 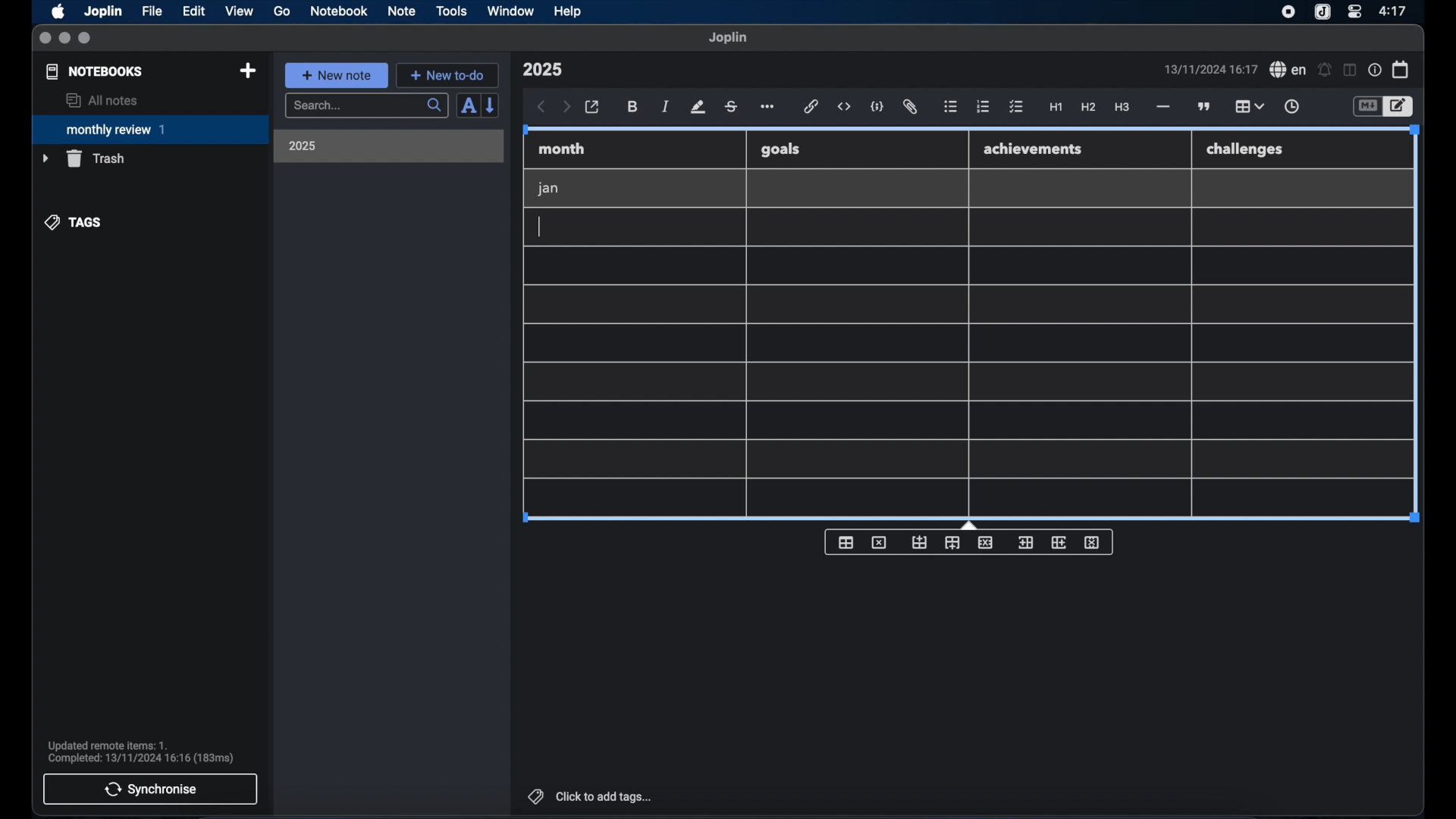 What do you see at coordinates (1354, 11) in the screenshot?
I see `control center` at bounding box center [1354, 11].